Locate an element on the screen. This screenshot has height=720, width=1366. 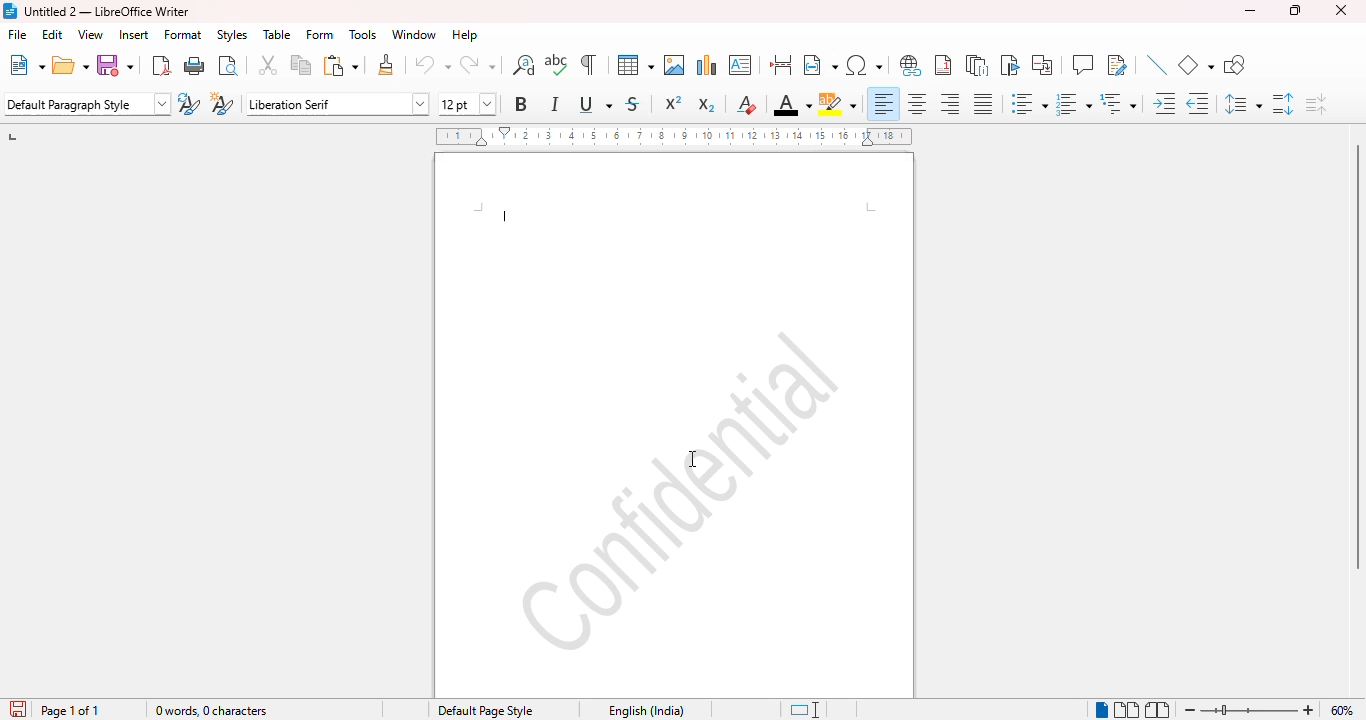
justified is located at coordinates (982, 104).